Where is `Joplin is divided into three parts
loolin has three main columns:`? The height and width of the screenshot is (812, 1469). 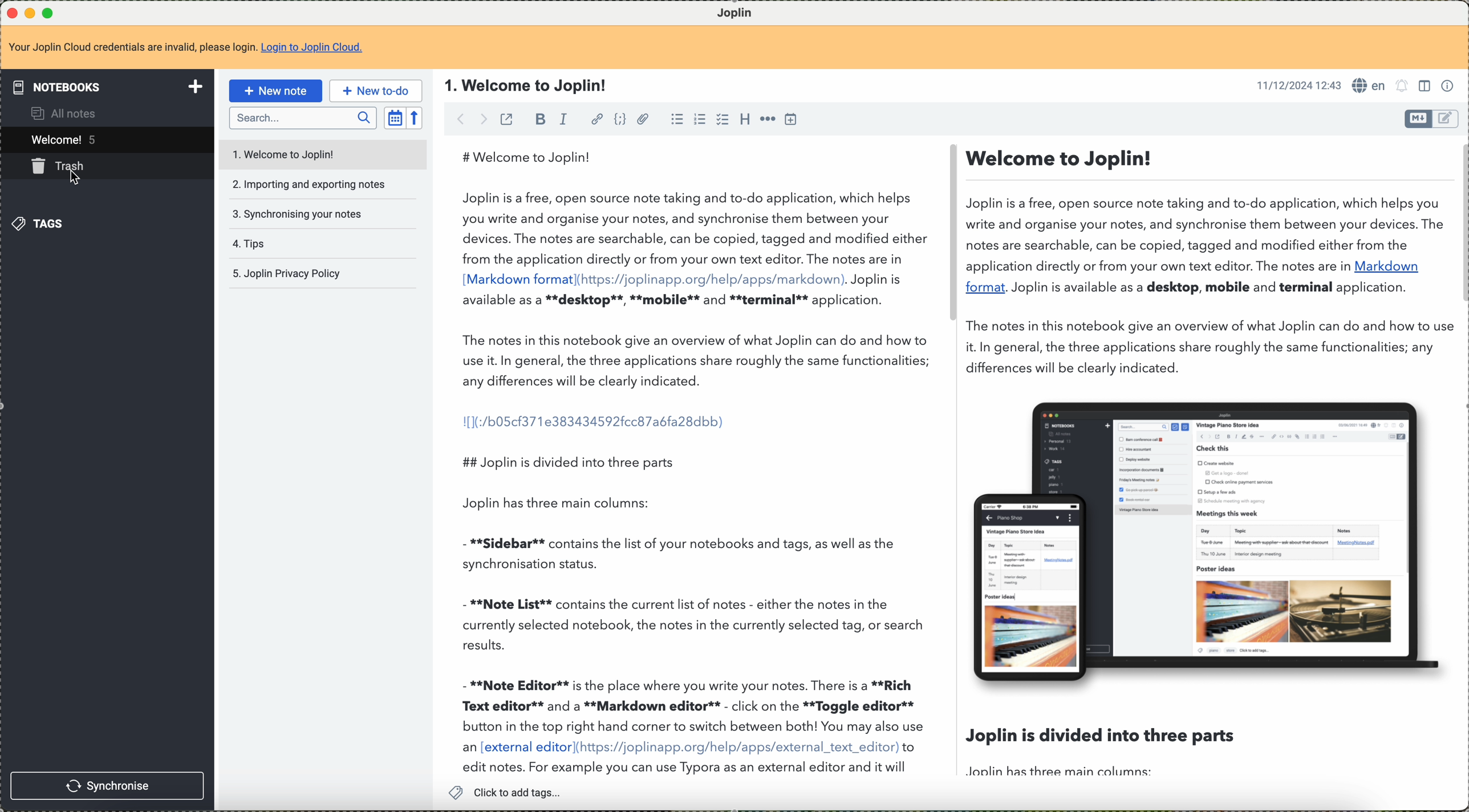 Joplin is divided into three parts
loolin has three main columns: is located at coordinates (1113, 754).